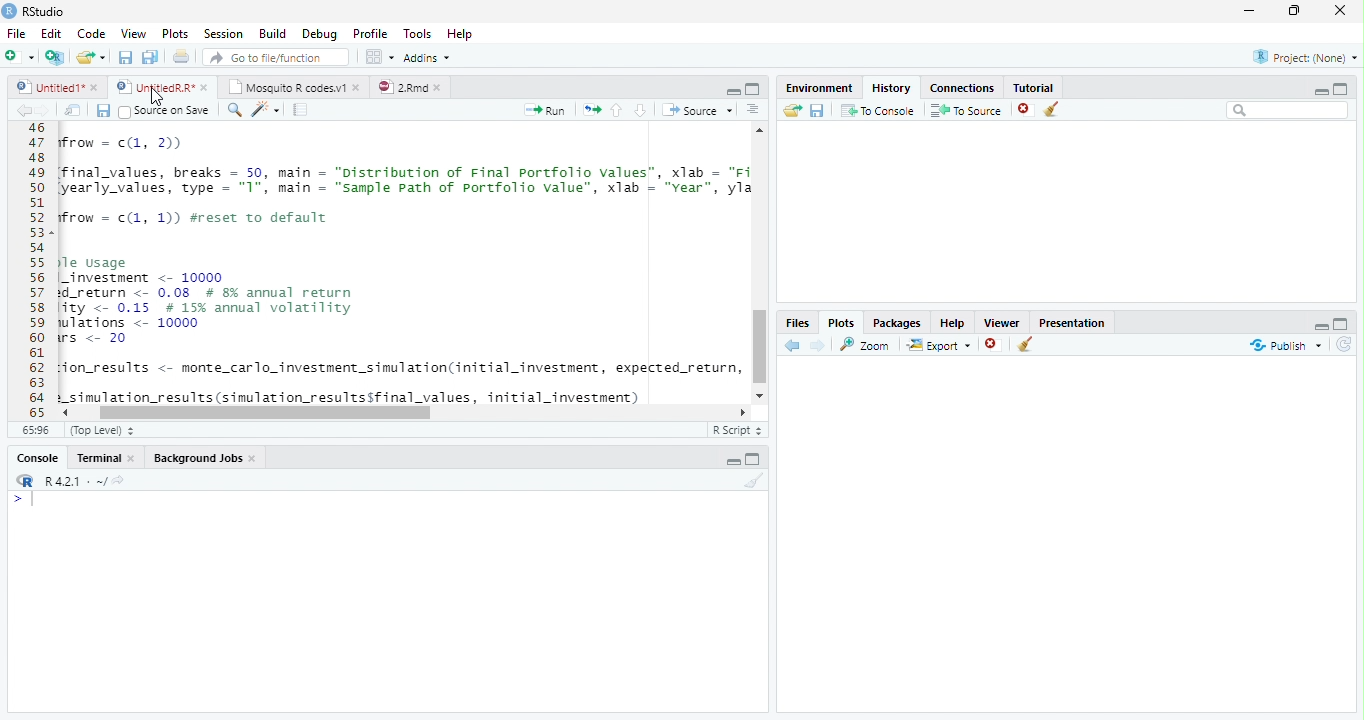 This screenshot has height=720, width=1364. I want to click on Show document outline, so click(753, 111).